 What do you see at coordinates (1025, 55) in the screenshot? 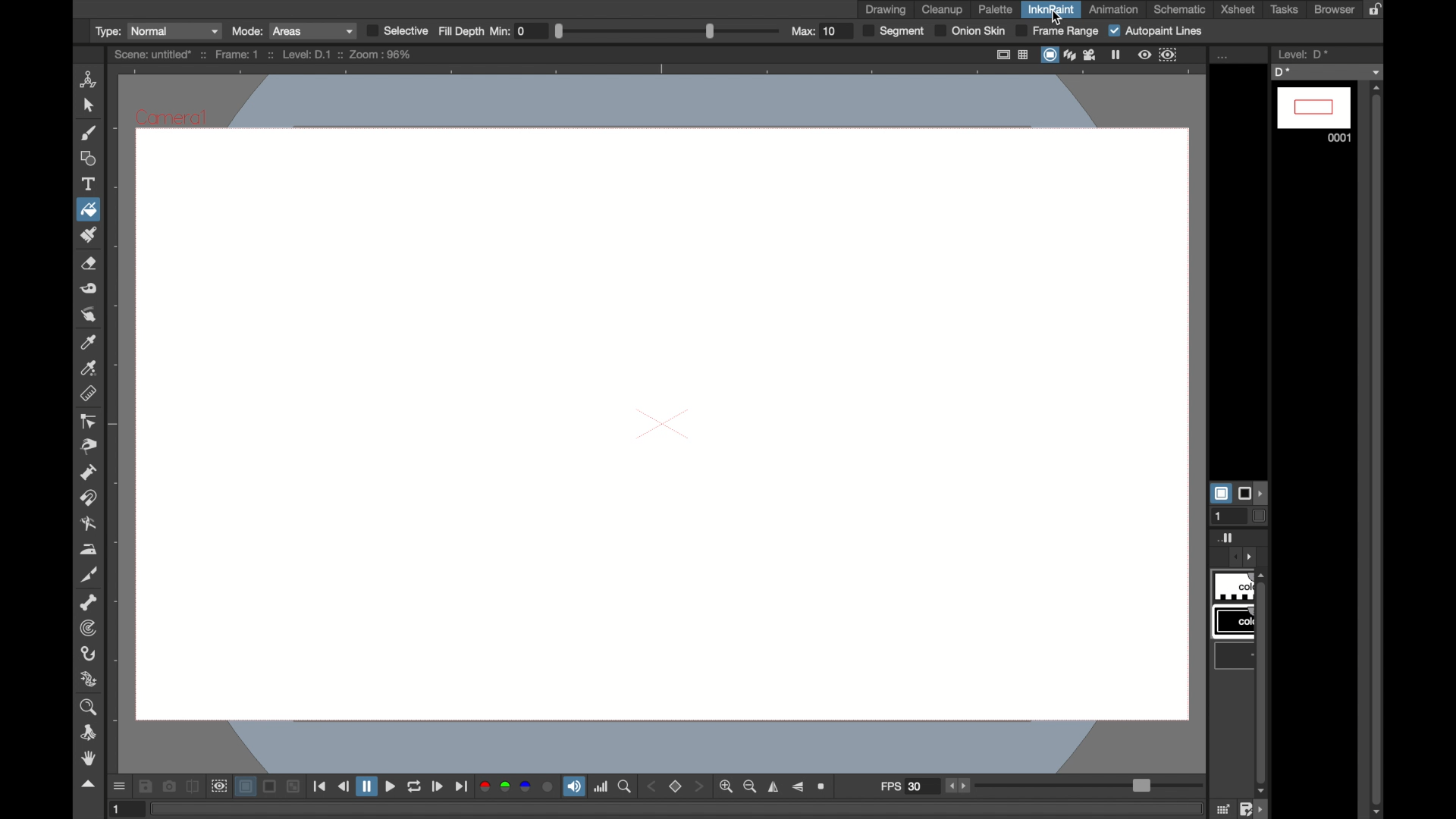
I see `table` at bounding box center [1025, 55].